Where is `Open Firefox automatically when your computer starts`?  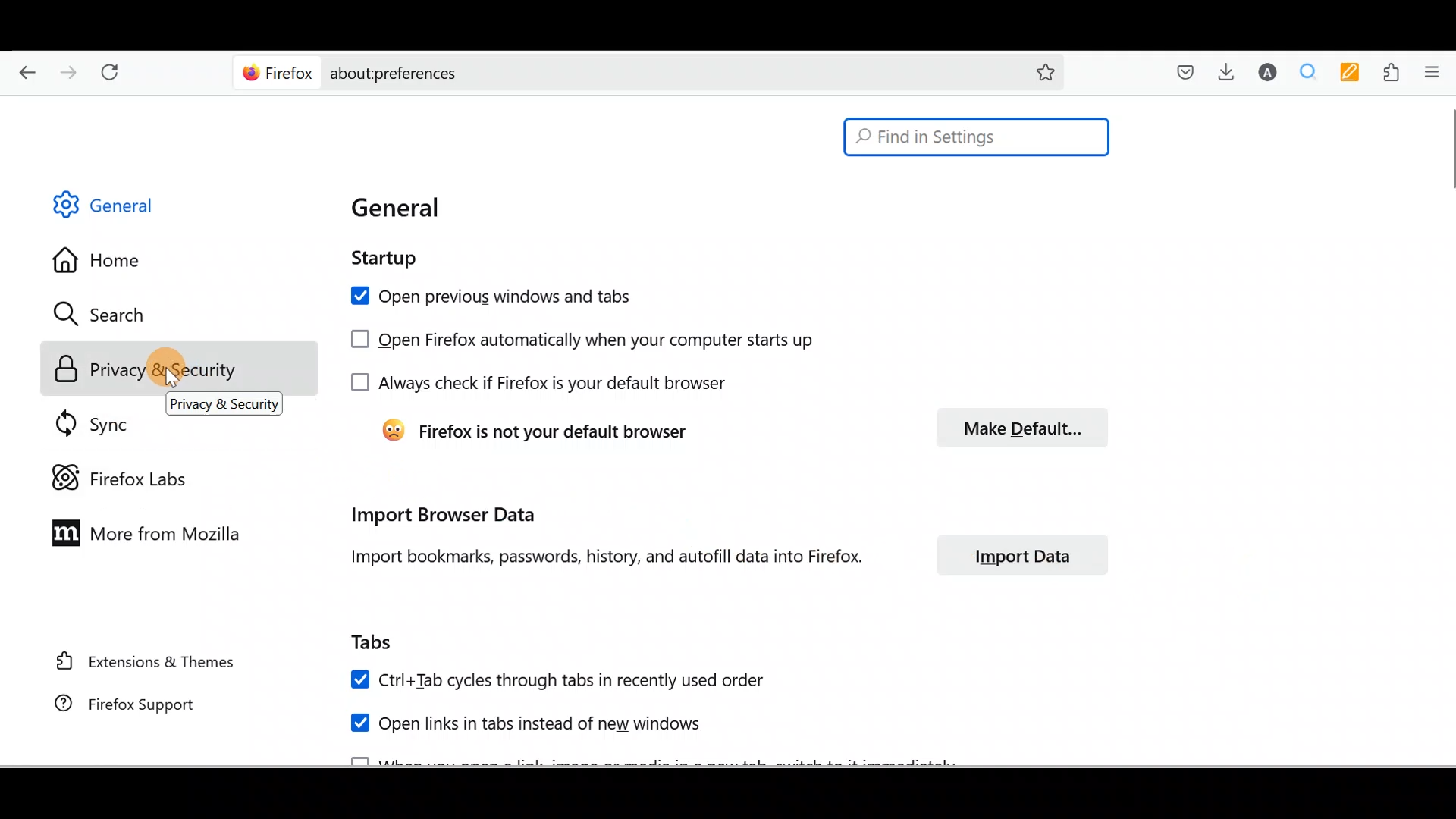 Open Firefox automatically when your computer starts is located at coordinates (615, 339).